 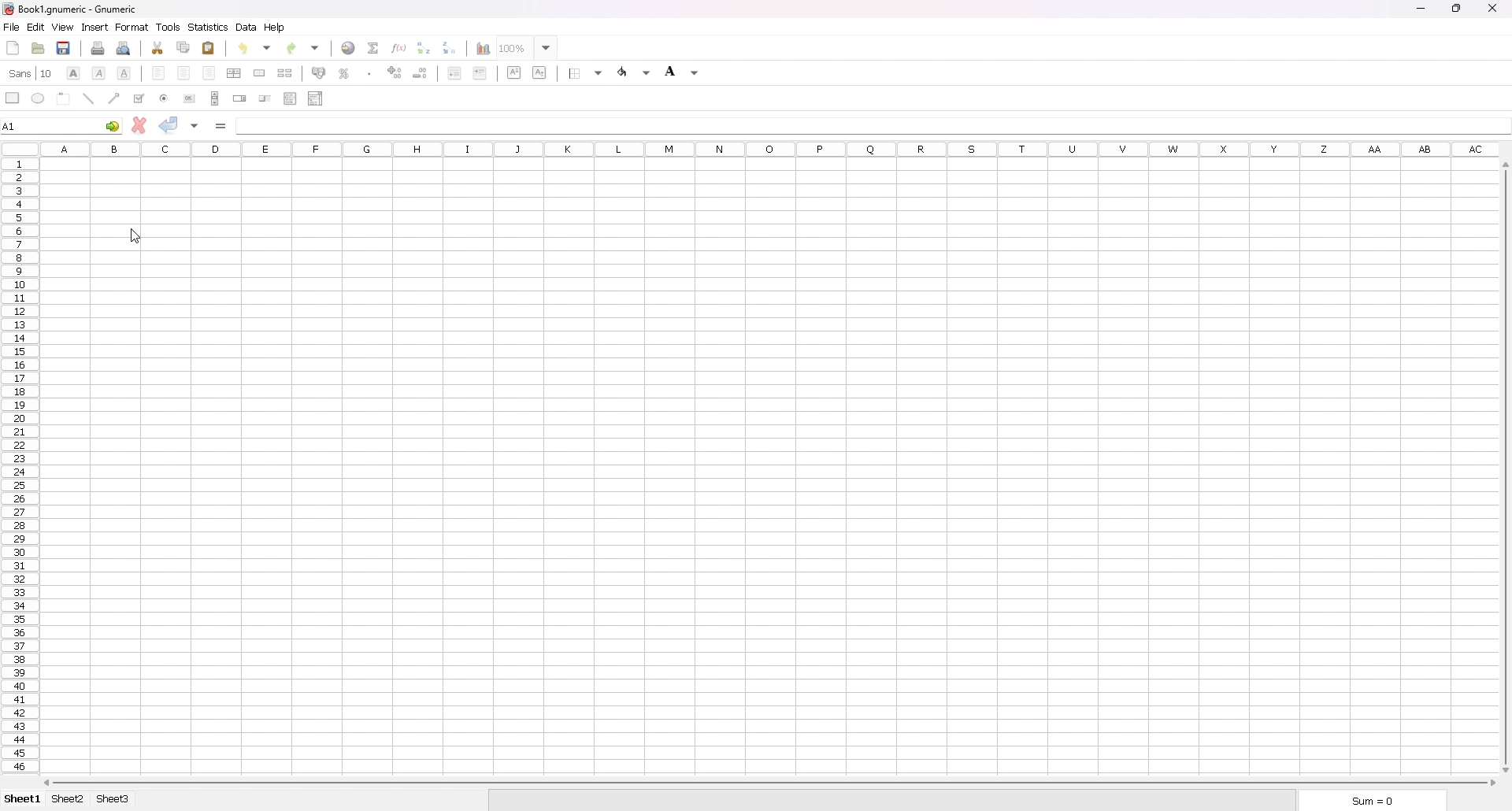 What do you see at coordinates (1374, 802) in the screenshot?
I see `sum` at bounding box center [1374, 802].